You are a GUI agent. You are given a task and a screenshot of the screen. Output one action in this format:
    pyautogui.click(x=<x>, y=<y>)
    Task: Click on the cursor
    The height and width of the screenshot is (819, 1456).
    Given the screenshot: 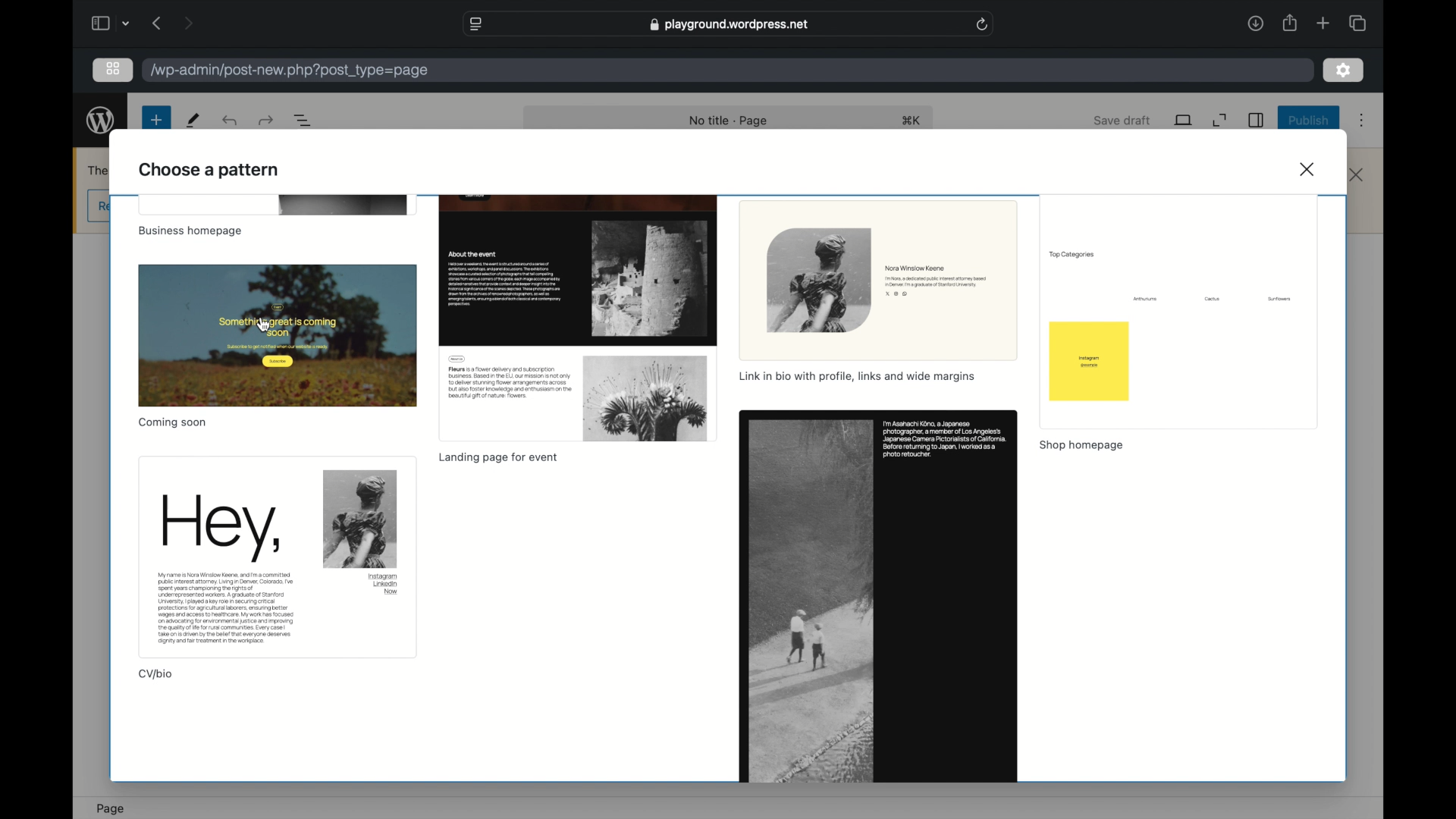 What is the action you would take?
    pyautogui.click(x=264, y=325)
    